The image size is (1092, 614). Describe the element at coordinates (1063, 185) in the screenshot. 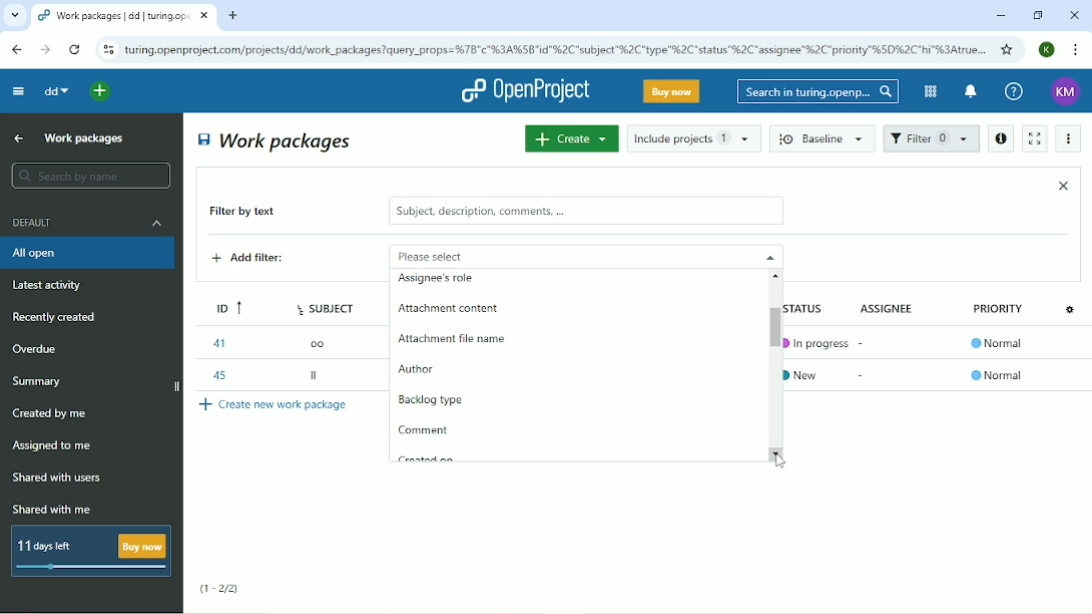

I see `Close` at that location.